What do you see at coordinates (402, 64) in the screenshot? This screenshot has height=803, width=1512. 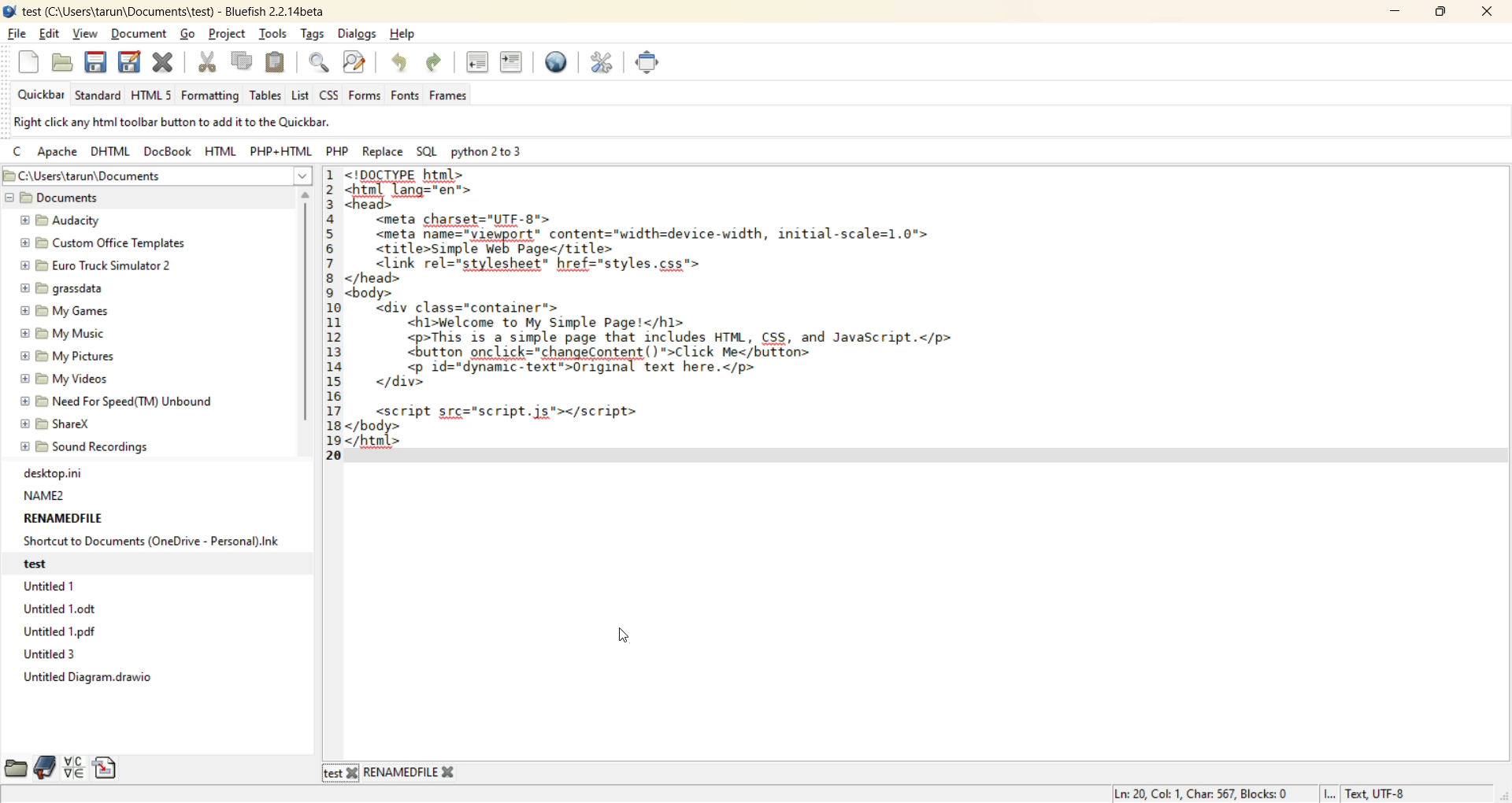 I see `undo` at bounding box center [402, 64].